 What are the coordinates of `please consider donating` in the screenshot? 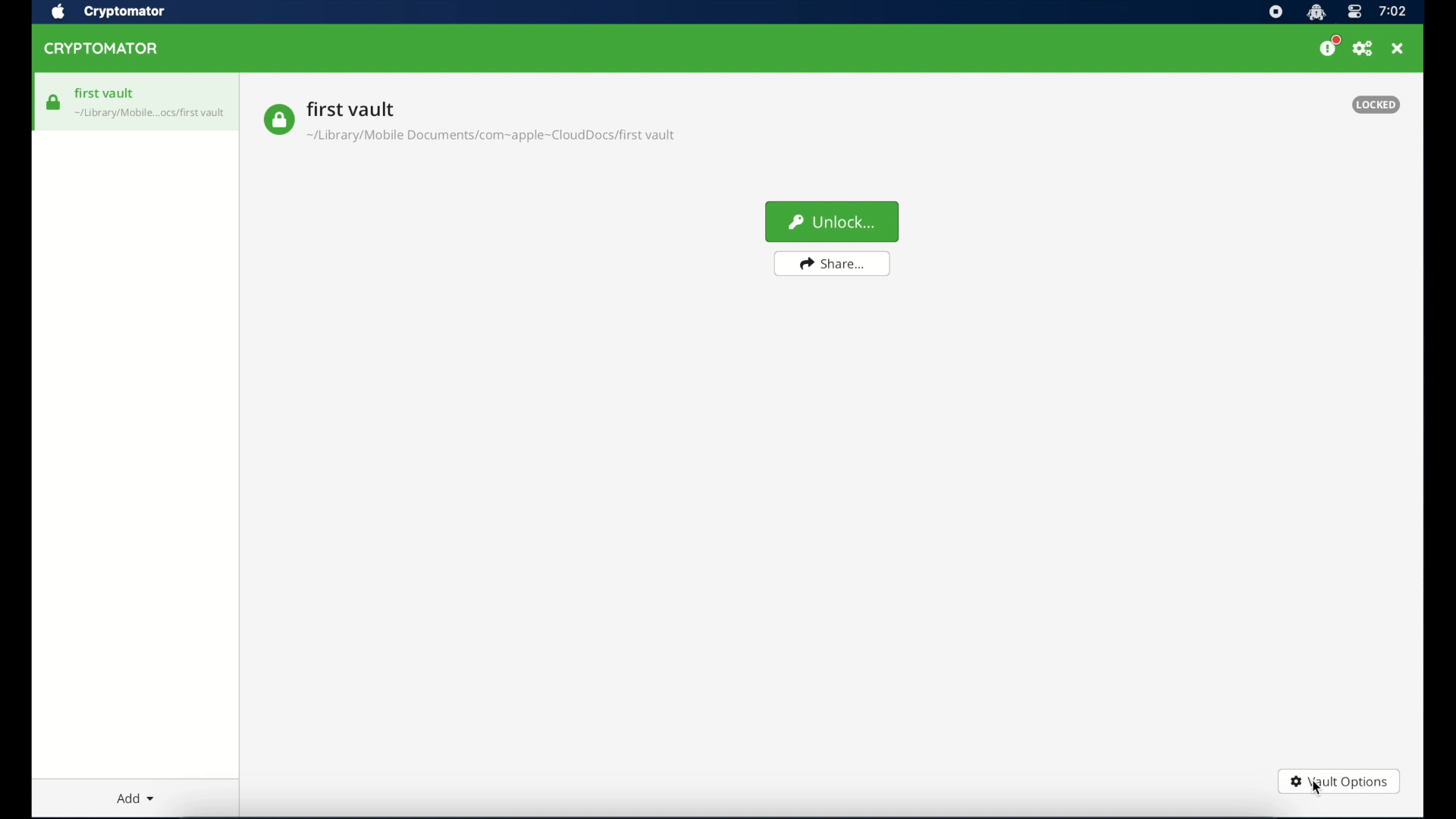 It's located at (1329, 46).